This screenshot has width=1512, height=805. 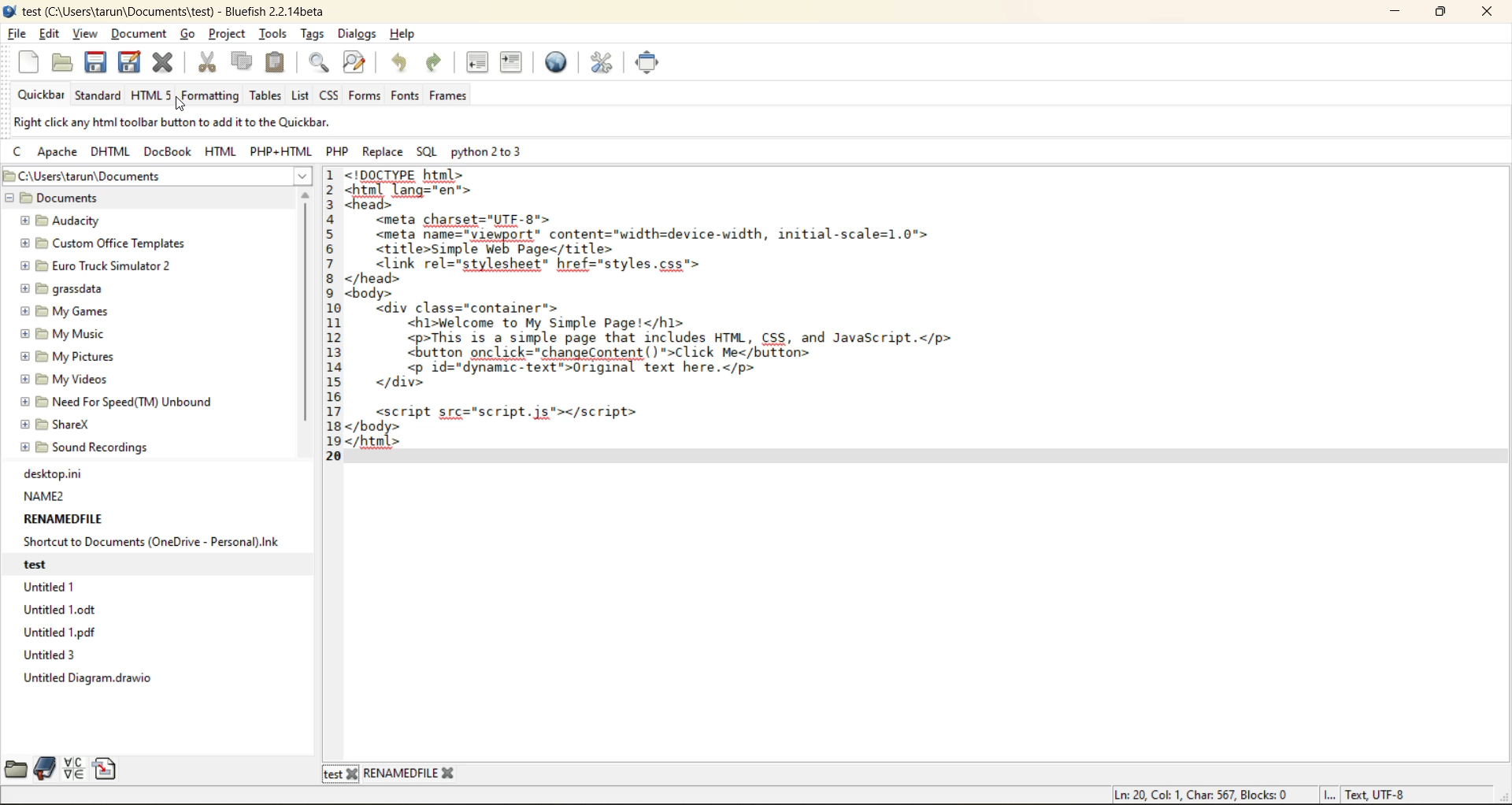 I want to click on php, so click(x=336, y=149).